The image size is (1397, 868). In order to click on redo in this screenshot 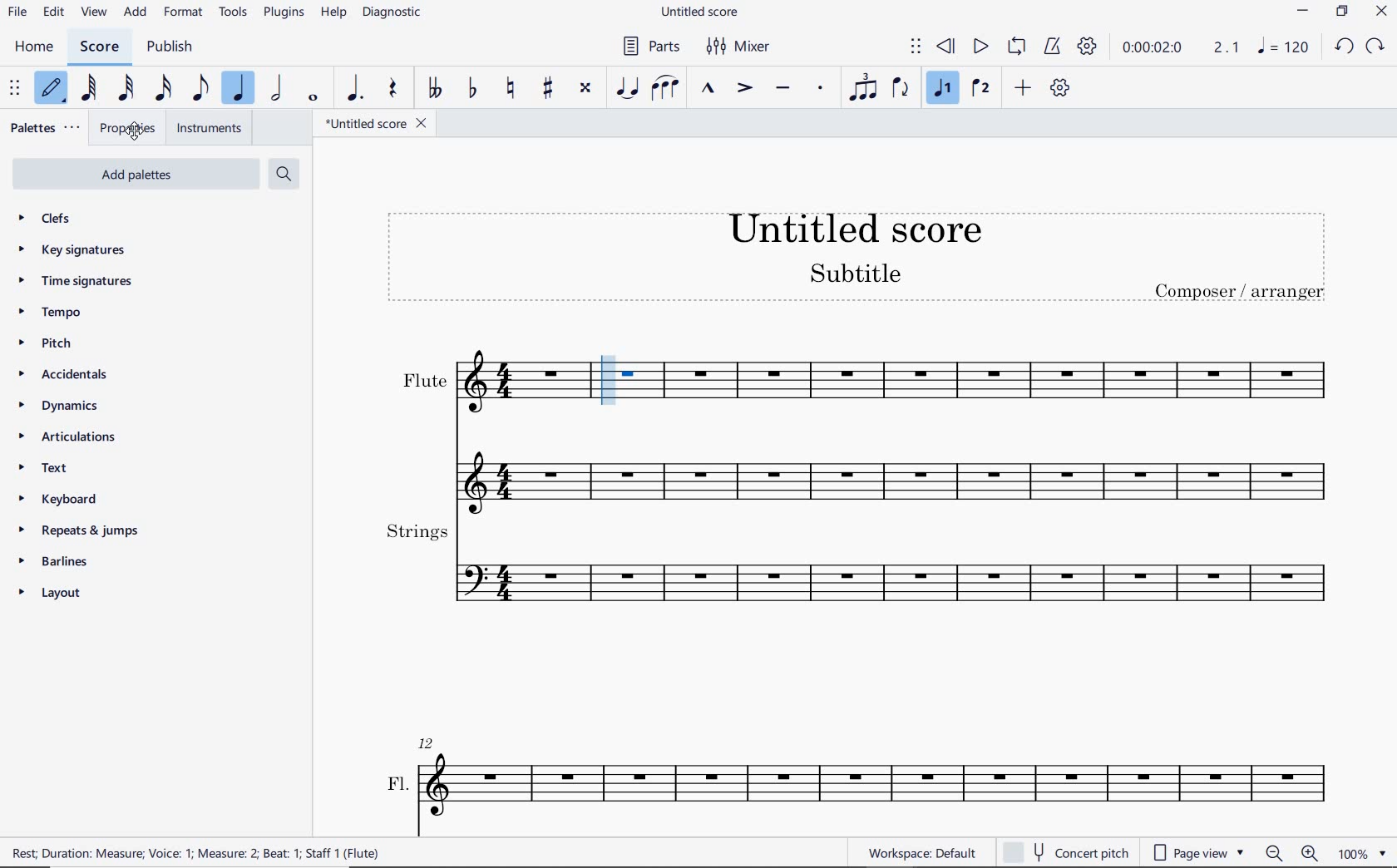, I will do `click(1378, 45)`.